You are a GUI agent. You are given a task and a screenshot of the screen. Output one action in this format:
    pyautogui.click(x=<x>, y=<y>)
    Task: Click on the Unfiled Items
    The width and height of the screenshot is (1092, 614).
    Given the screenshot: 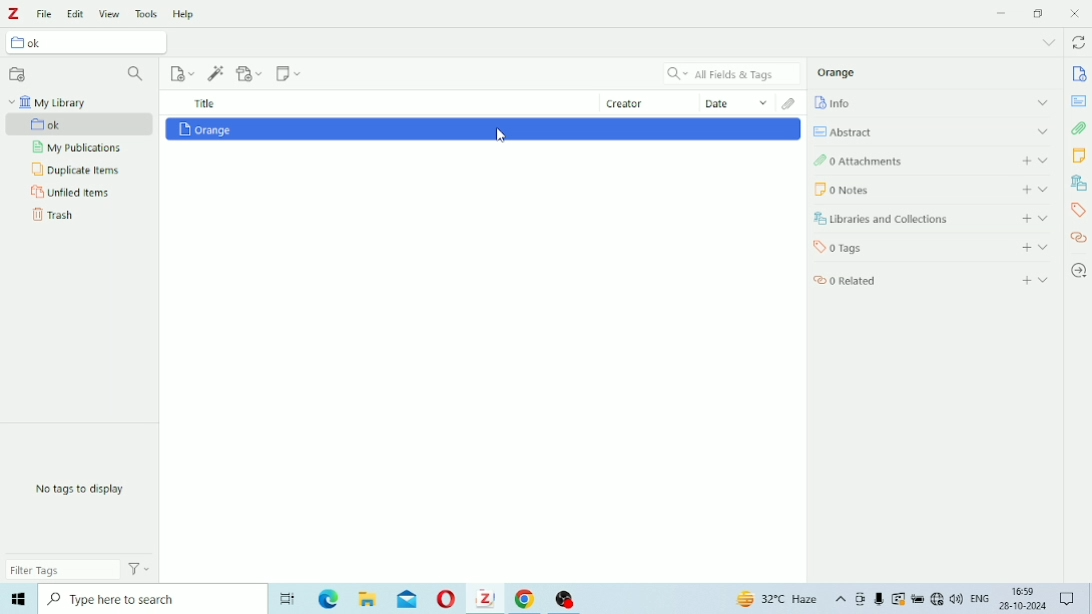 What is the action you would take?
    pyautogui.click(x=71, y=193)
    